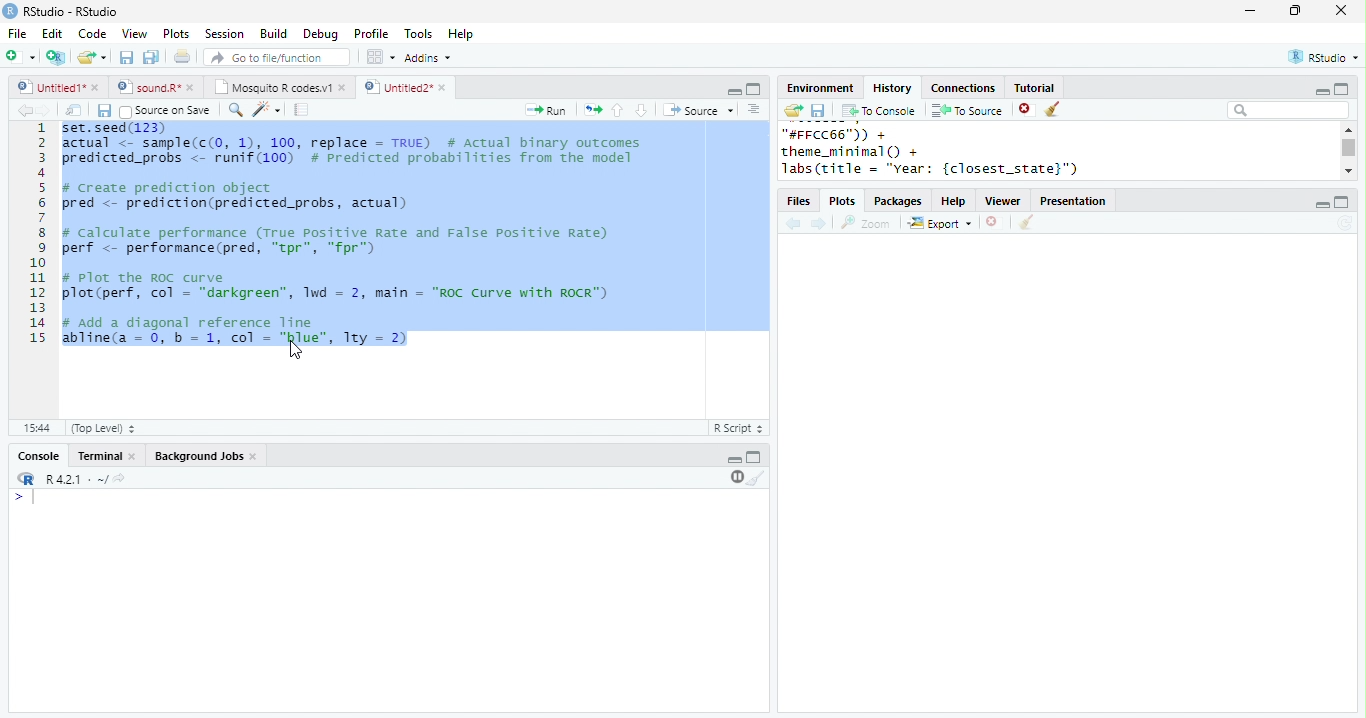 The width and height of the screenshot is (1366, 718). Describe the element at coordinates (256, 457) in the screenshot. I see `close` at that location.